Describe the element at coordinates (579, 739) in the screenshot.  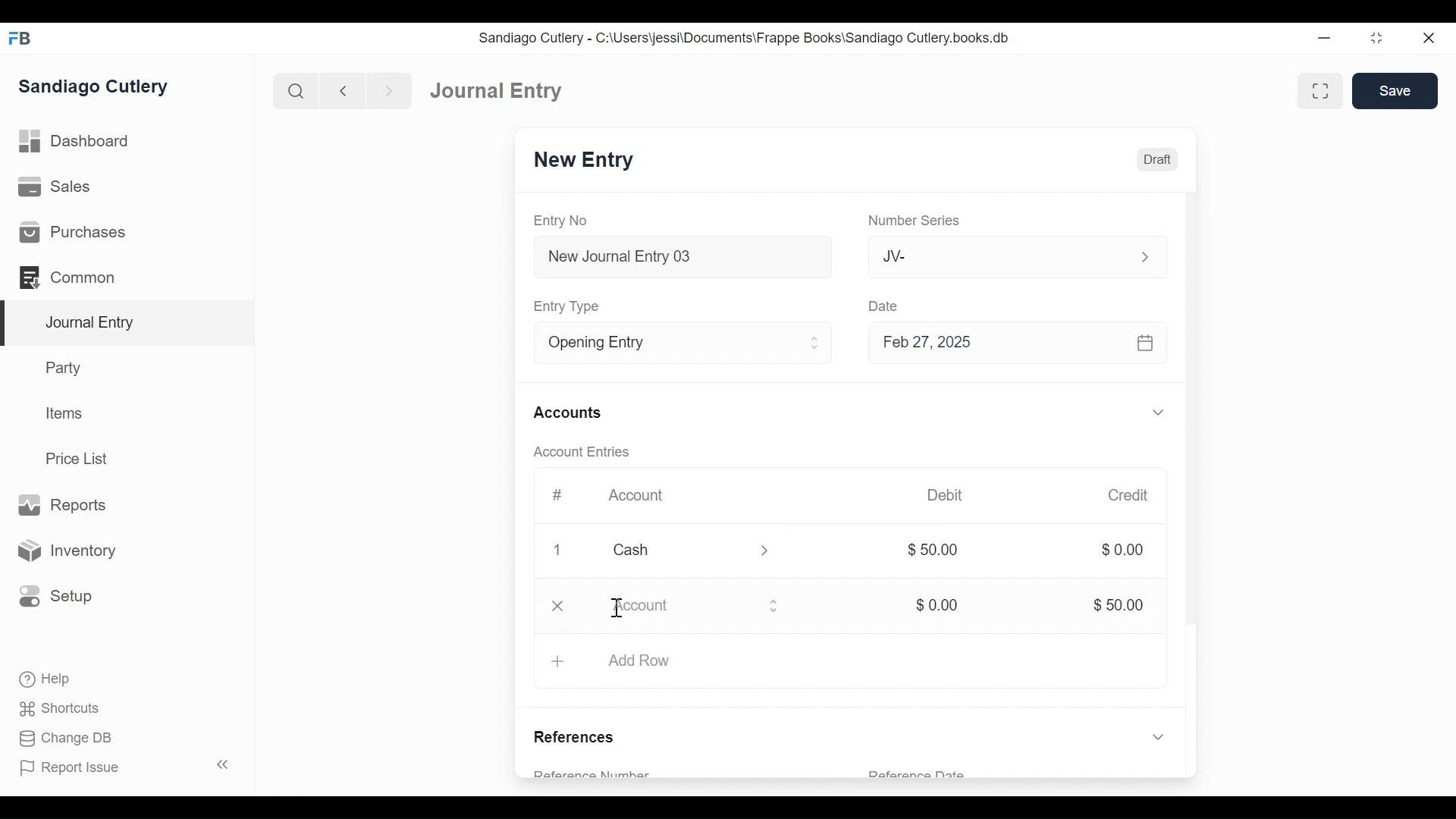
I see `References` at that location.